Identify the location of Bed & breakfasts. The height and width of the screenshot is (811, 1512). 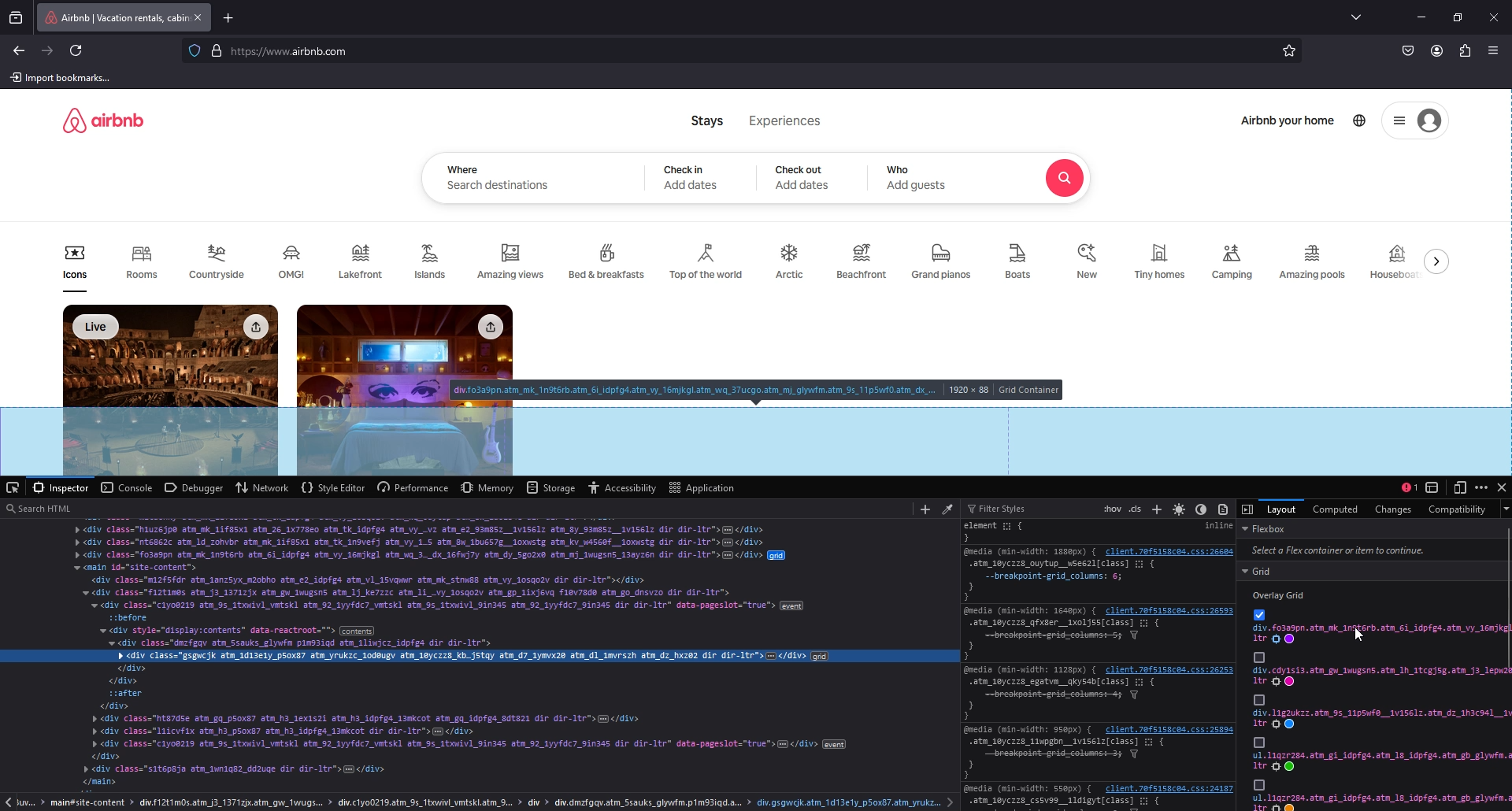
(609, 259).